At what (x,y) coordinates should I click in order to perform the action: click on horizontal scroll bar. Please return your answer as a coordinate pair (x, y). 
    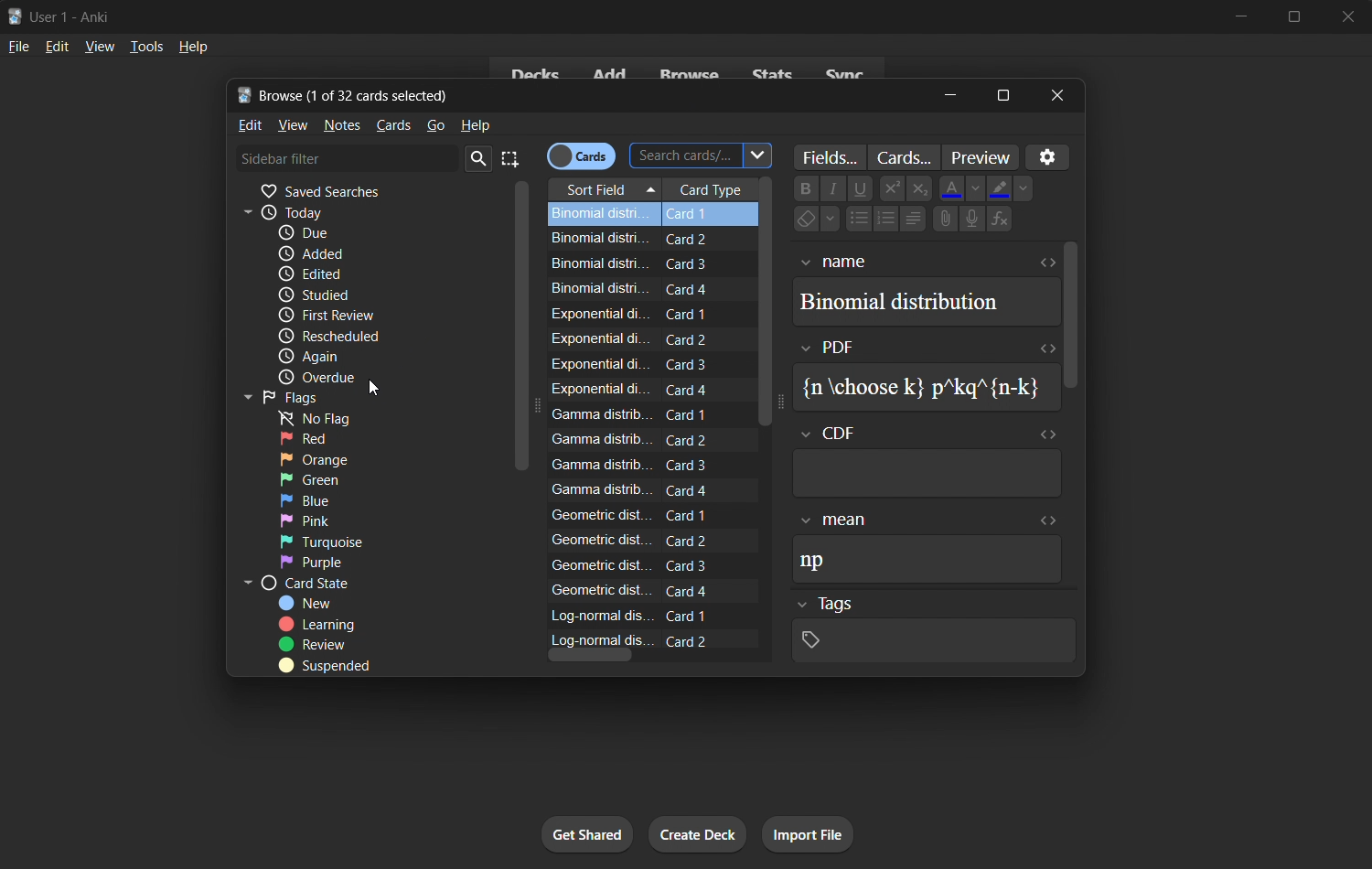
    Looking at the image, I should click on (592, 656).